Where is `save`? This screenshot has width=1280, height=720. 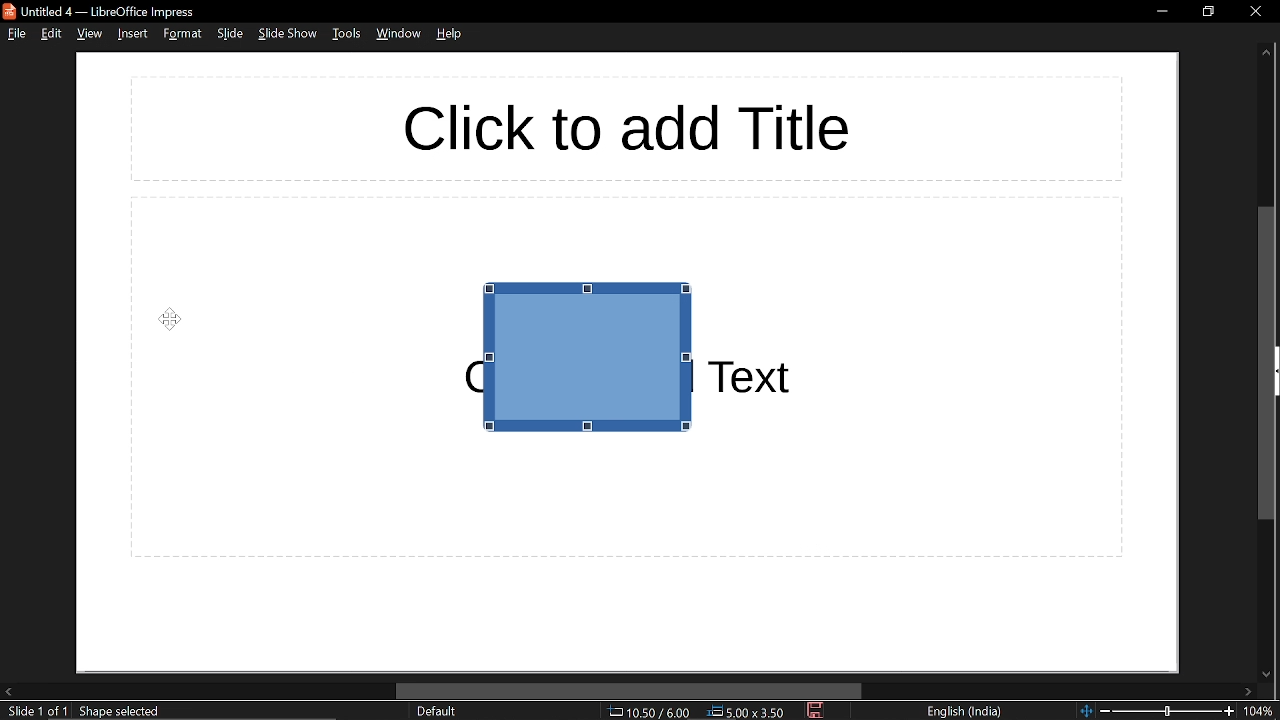 save is located at coordinates (815, 710).